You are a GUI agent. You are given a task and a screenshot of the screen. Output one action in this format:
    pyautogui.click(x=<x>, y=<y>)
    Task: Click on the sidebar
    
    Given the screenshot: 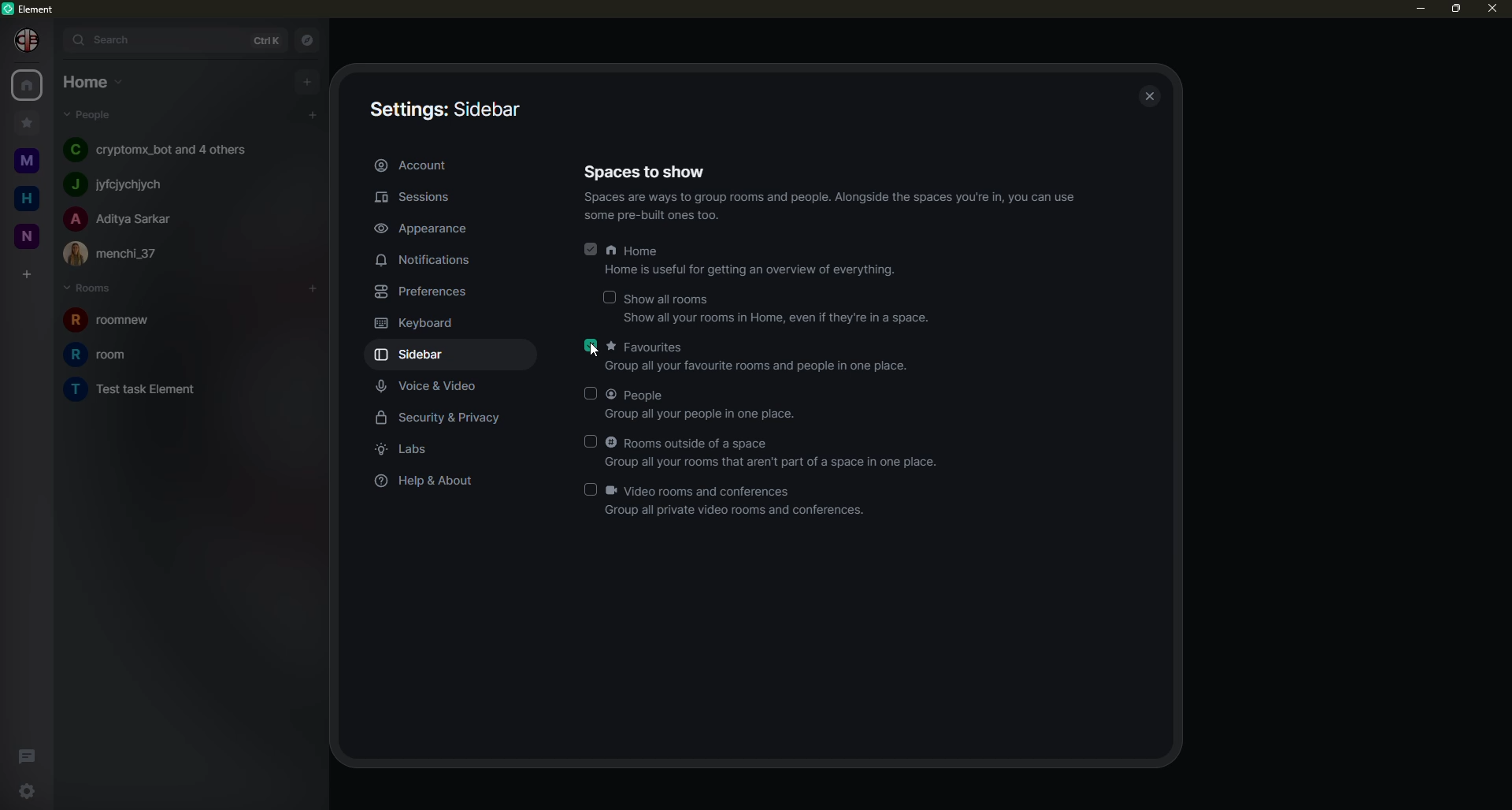 What is the action you would take?
    pyautogui.click(x=449, y=110)
    